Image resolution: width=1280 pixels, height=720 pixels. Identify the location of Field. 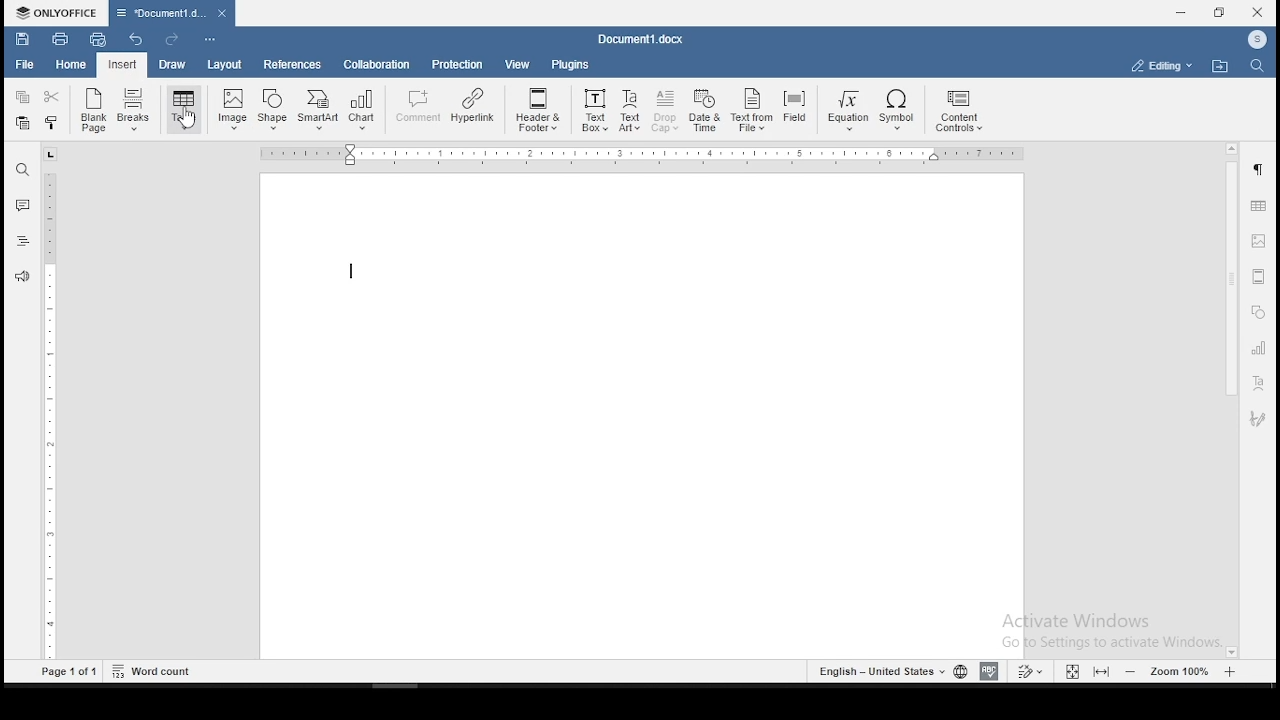
(794, 108).